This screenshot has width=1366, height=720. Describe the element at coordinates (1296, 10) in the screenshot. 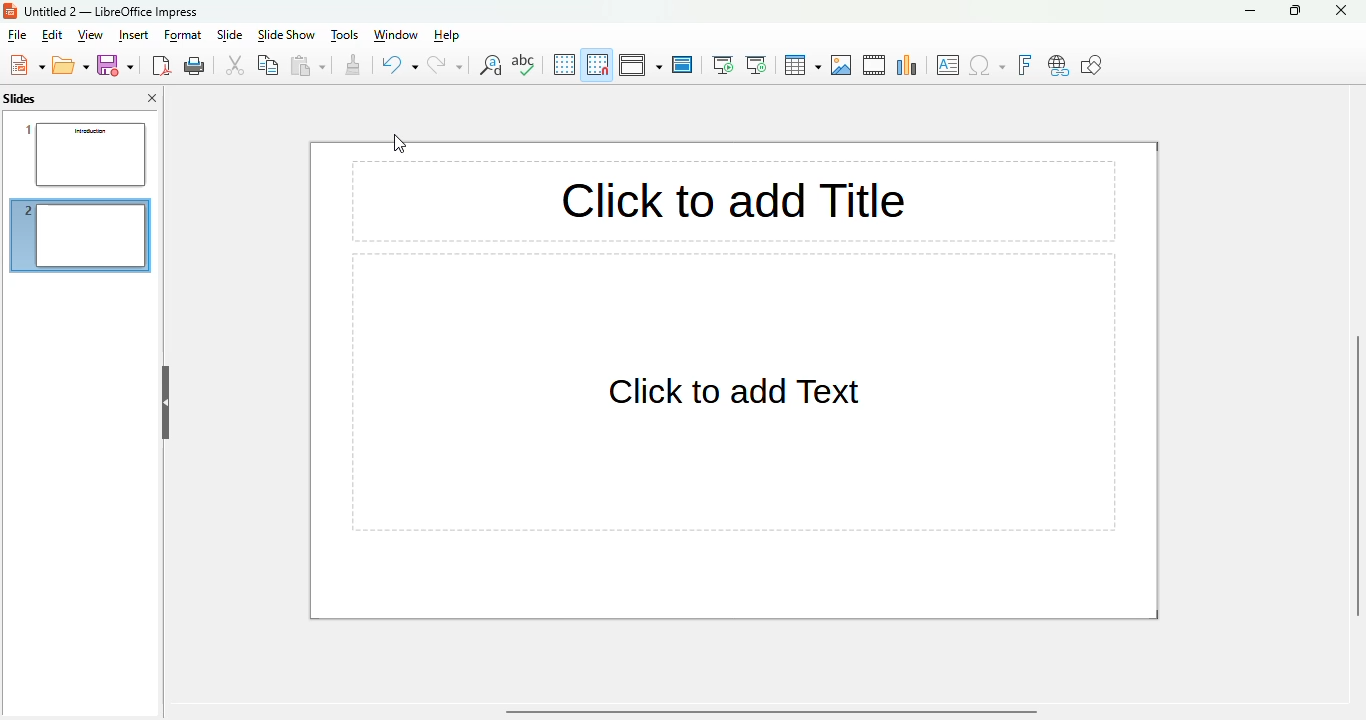

I see `maximize` at that location.